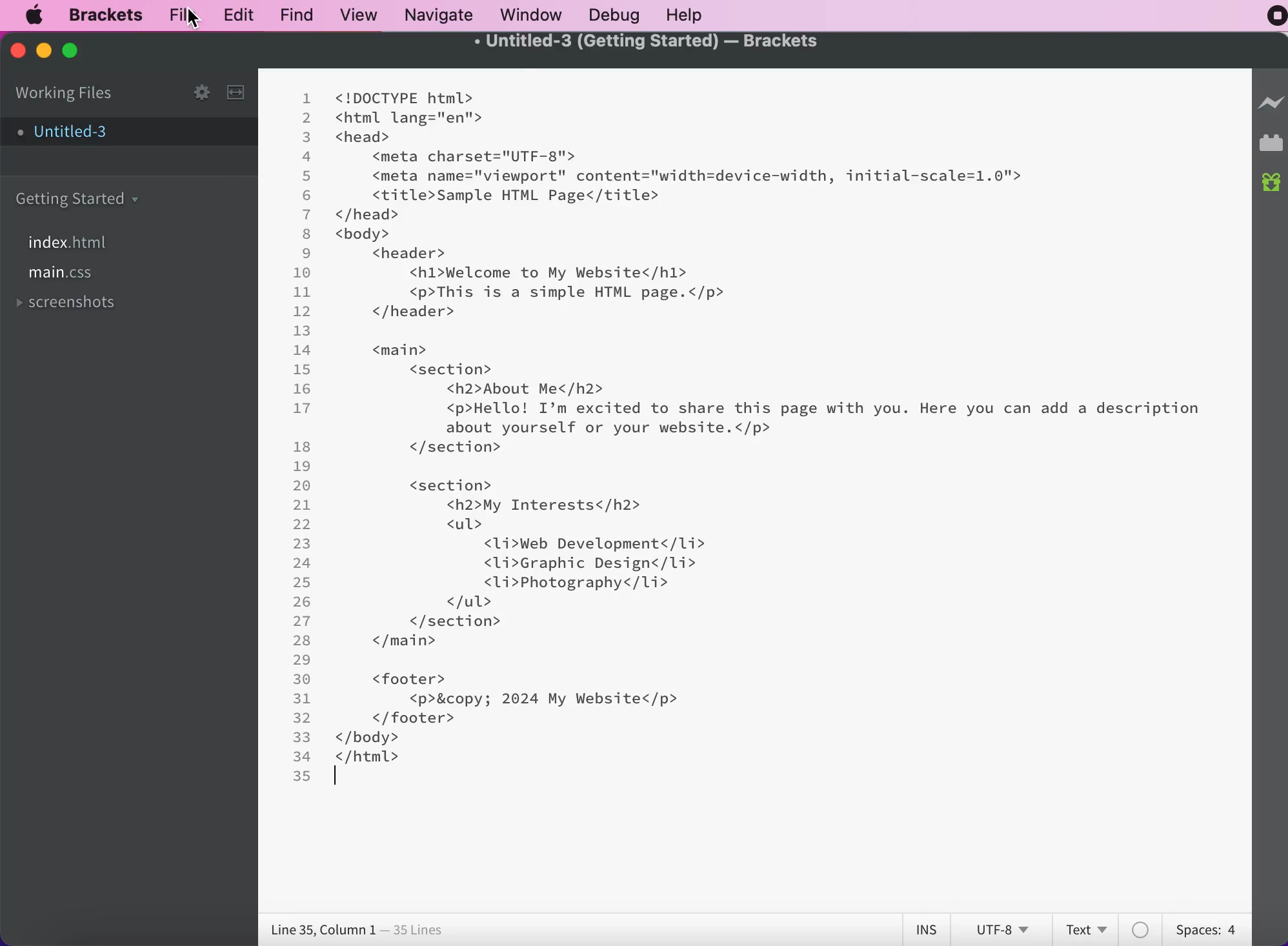  I want to click on 31, so click(301, 699).